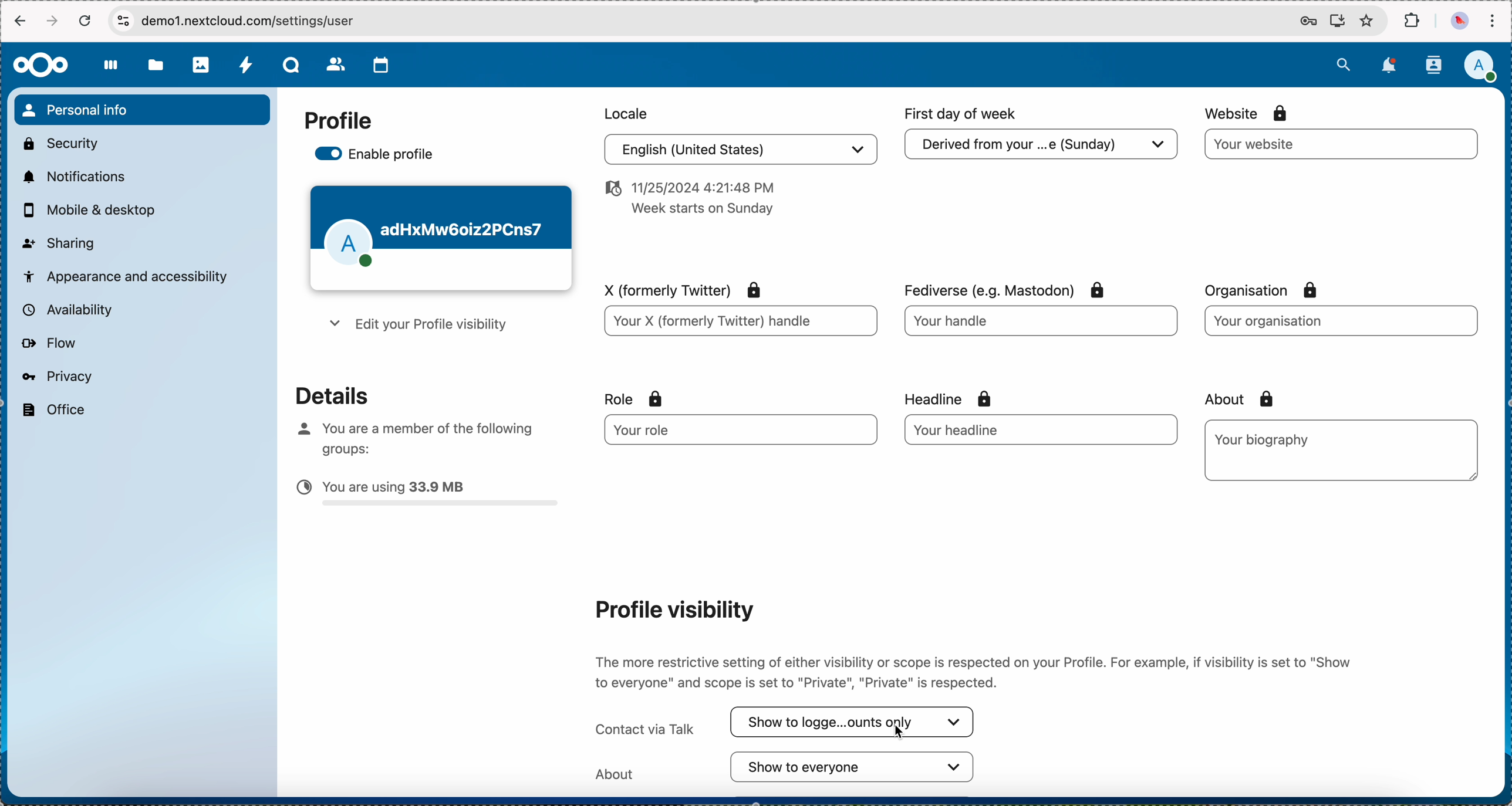  What do you see at coordinates (86, 21) in the screenshot?
I see `refresh the page` at bounding box center [86, 21].